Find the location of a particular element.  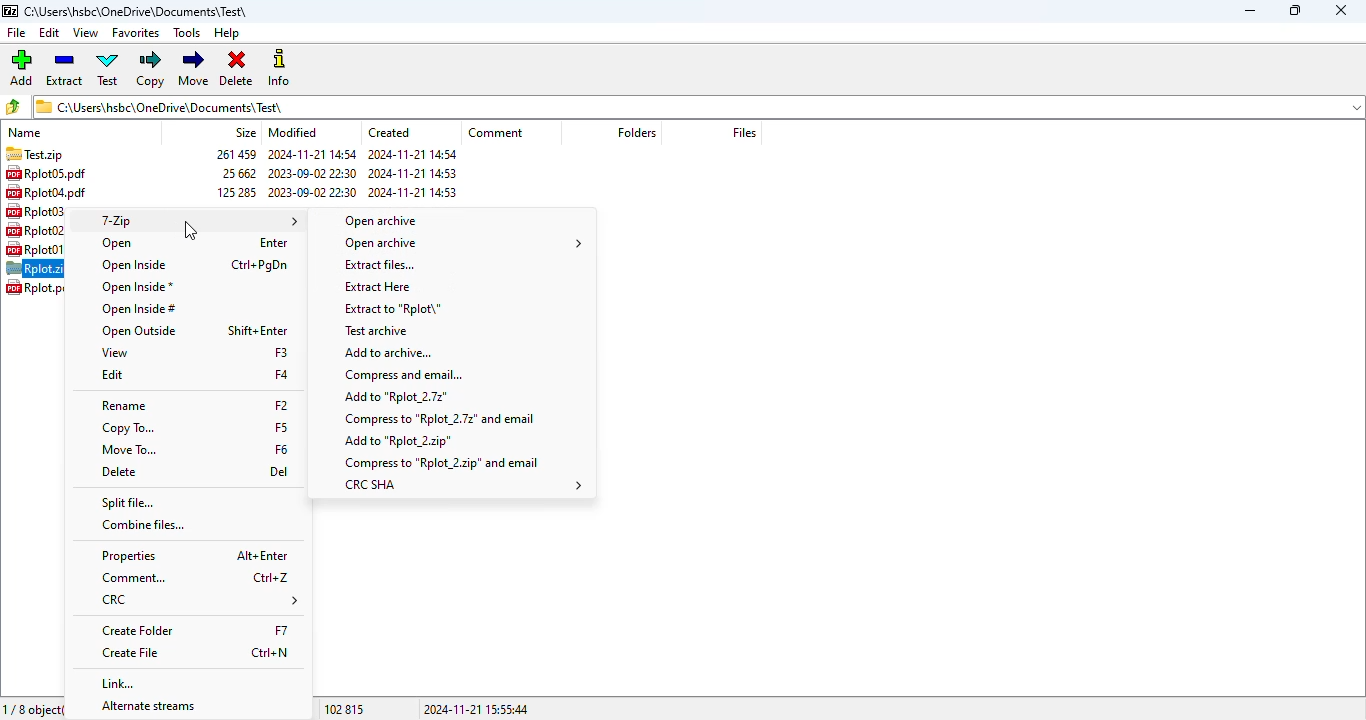

Rplot01.pdf is located at coordinates (45, 249).